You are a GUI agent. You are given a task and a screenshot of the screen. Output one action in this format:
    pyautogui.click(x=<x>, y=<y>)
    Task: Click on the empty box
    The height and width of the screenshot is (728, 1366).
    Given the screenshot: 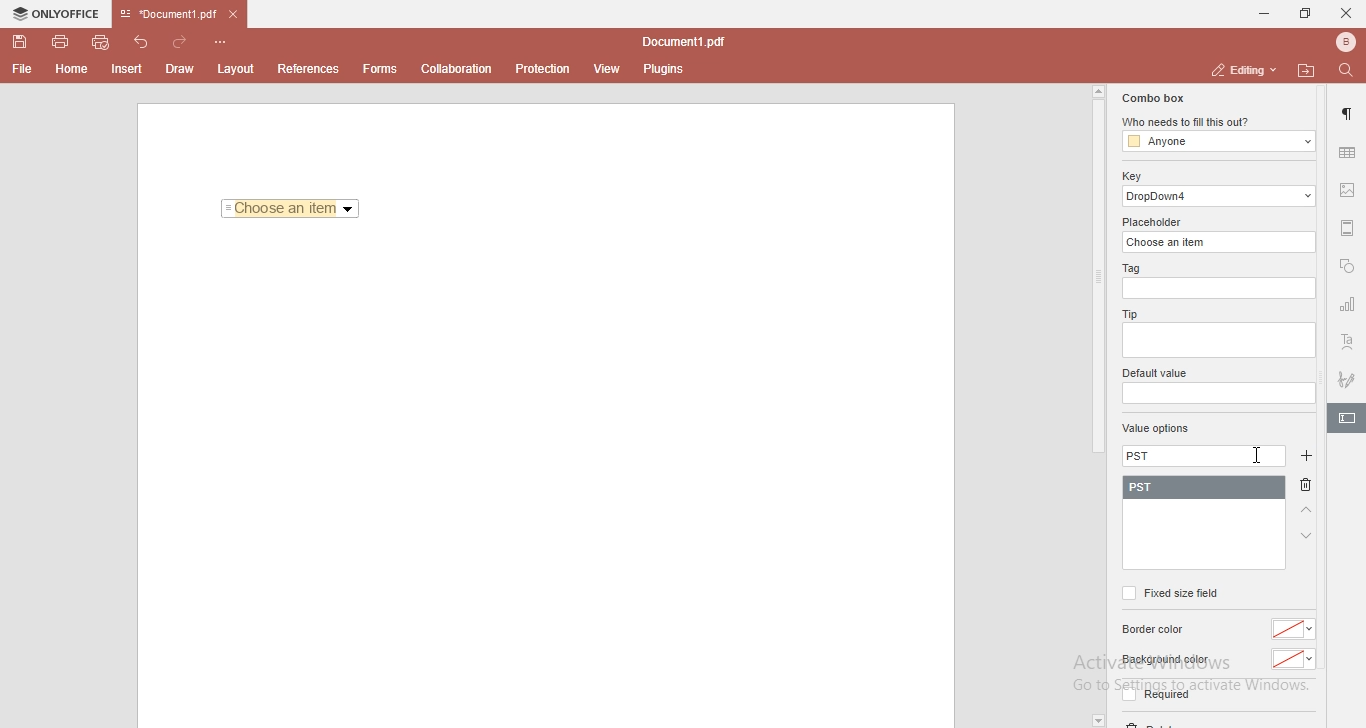 What is the action you would take?
    pyautogui.click(x=1221, y=289)
    